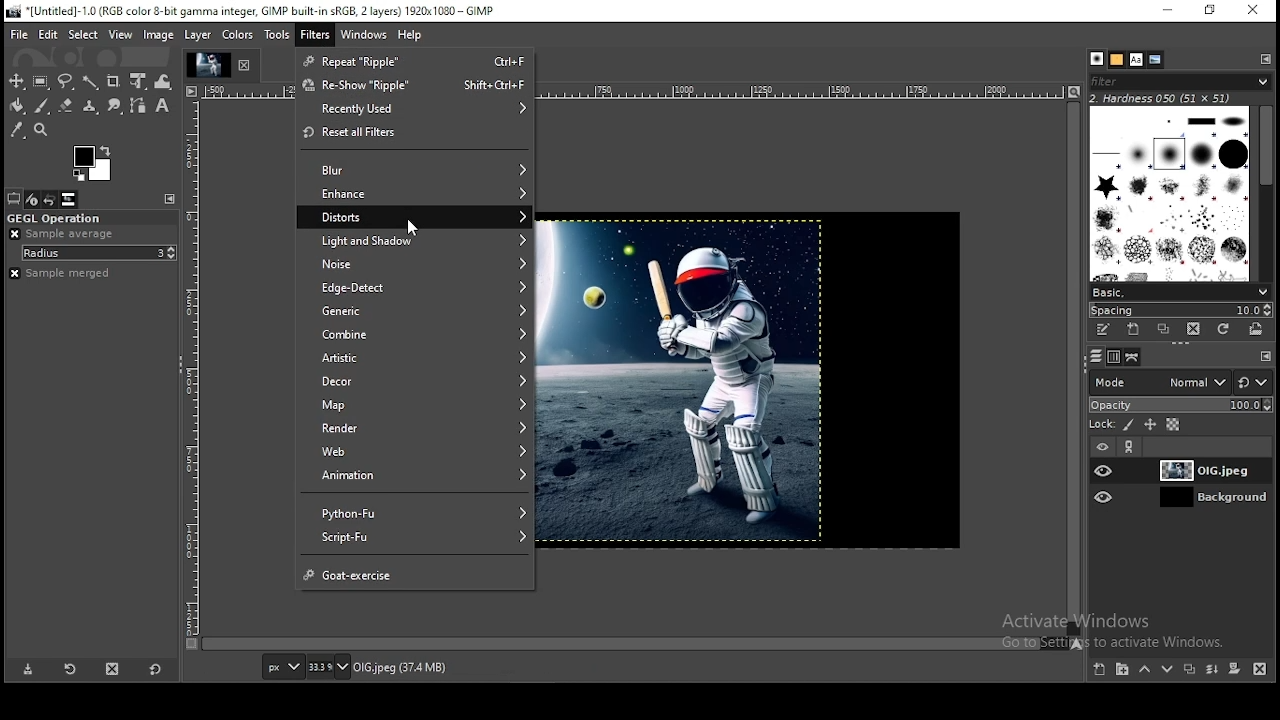 This screenshot has height=720, width=1280. I want to click on enhance, so click(424, 193).